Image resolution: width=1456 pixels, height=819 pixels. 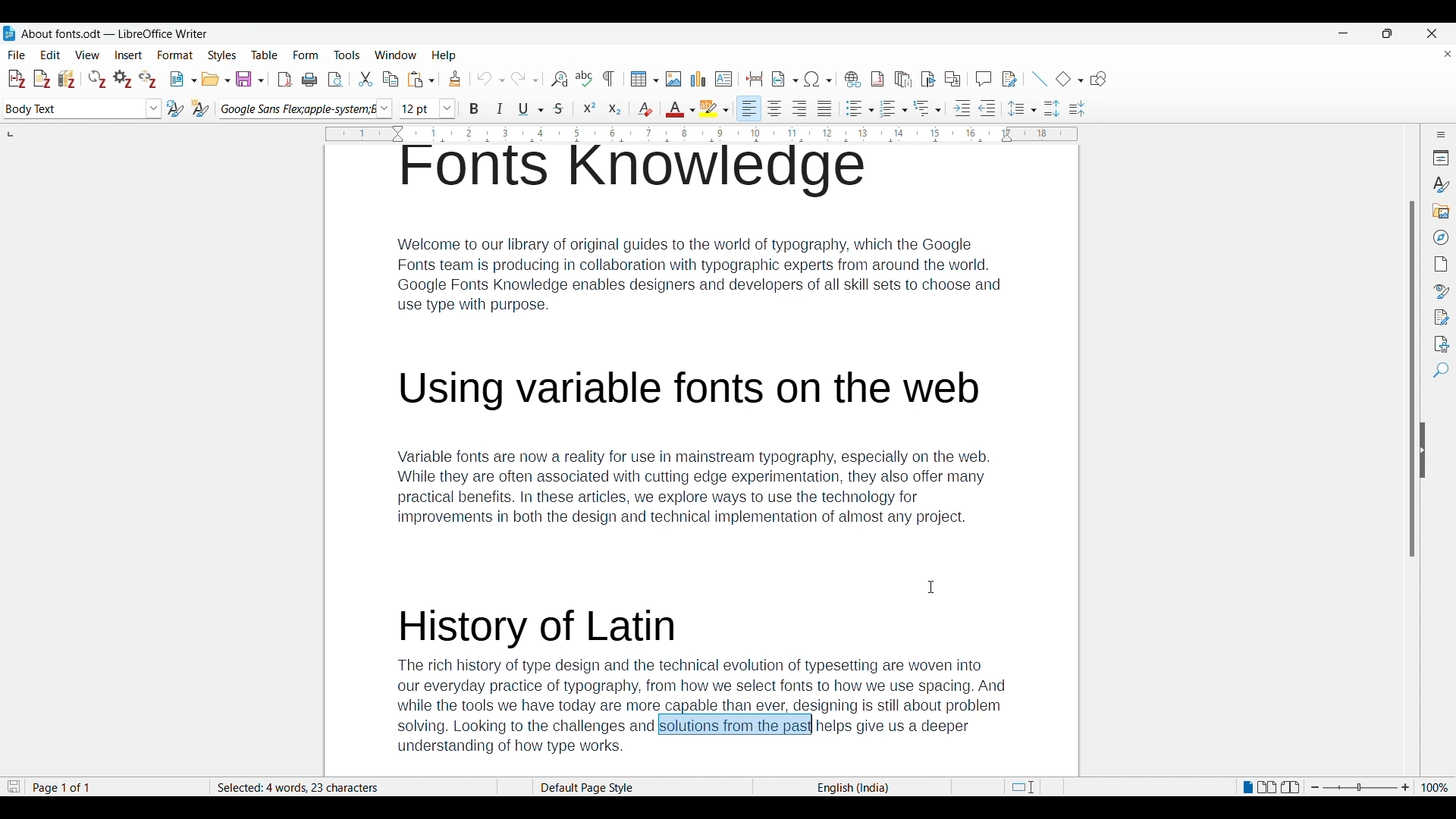 I want to click on Toggle ordered list options, so click(x=894, y=109).